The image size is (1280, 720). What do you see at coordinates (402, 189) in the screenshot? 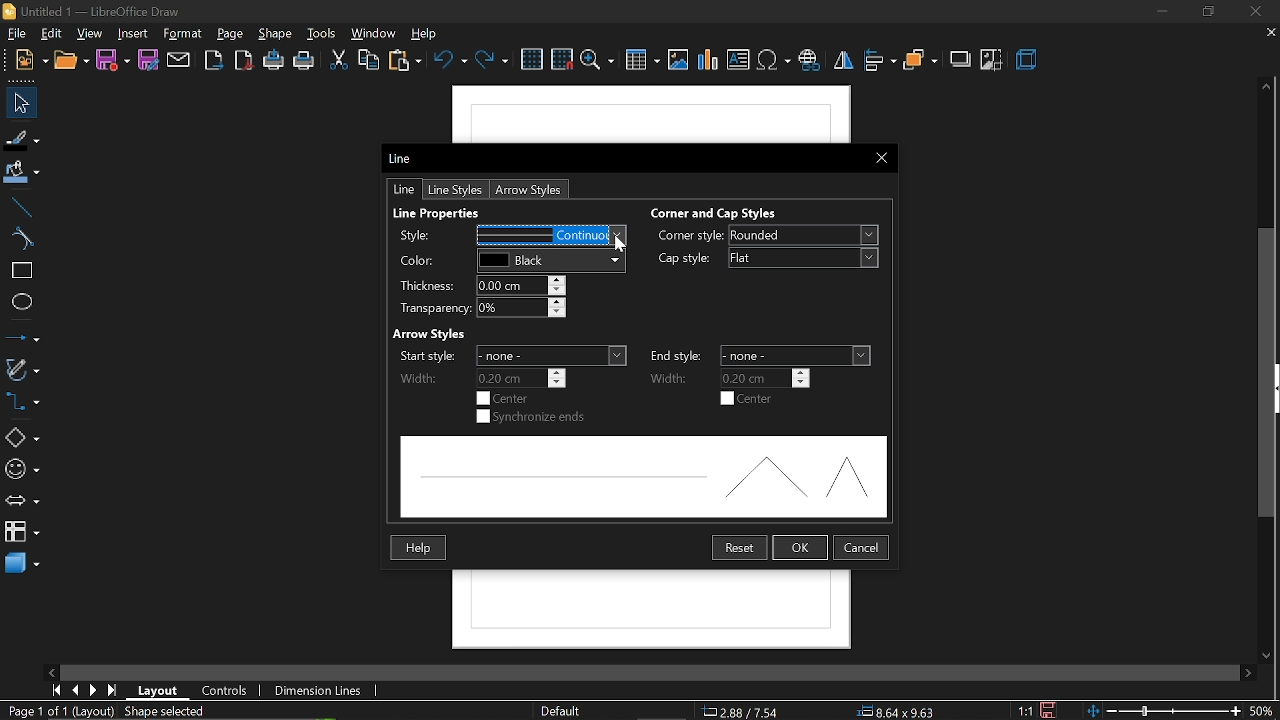
I see `line` at bounding box center [402, 189].